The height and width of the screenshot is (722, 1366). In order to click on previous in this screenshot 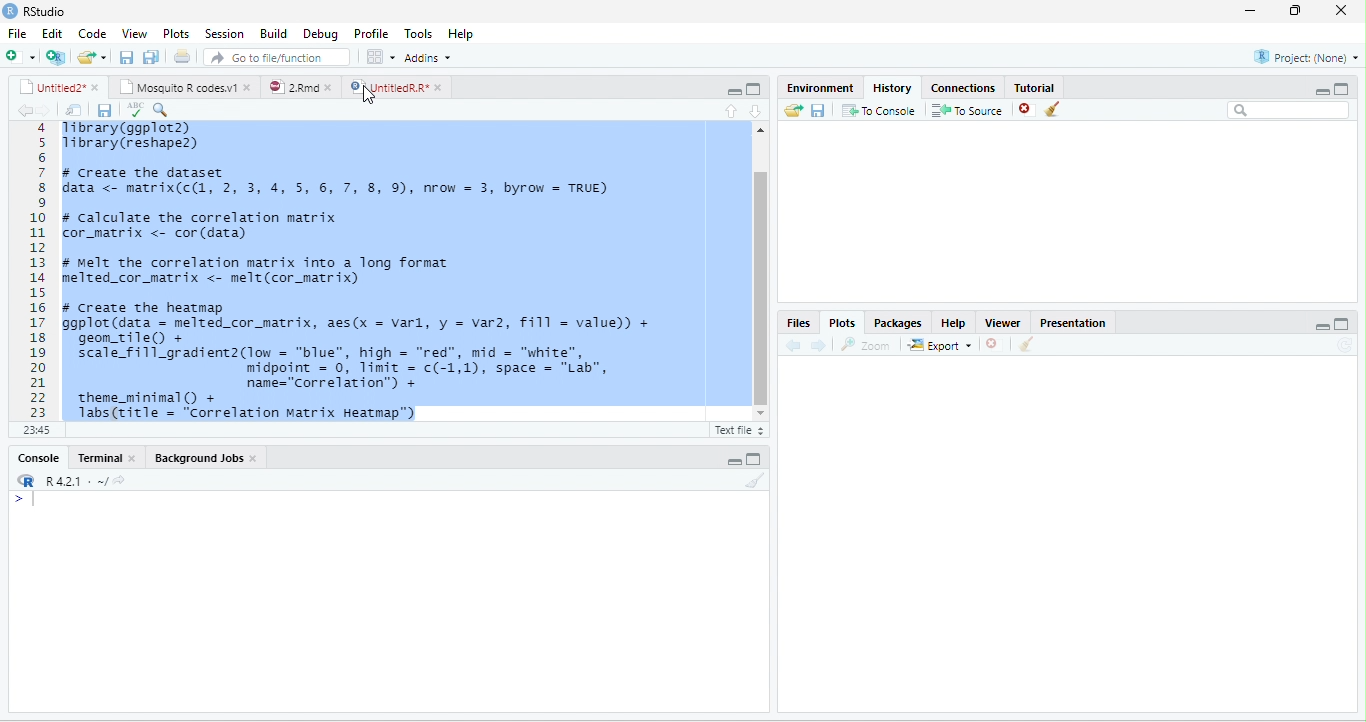, I will do `click(797, 345)`.